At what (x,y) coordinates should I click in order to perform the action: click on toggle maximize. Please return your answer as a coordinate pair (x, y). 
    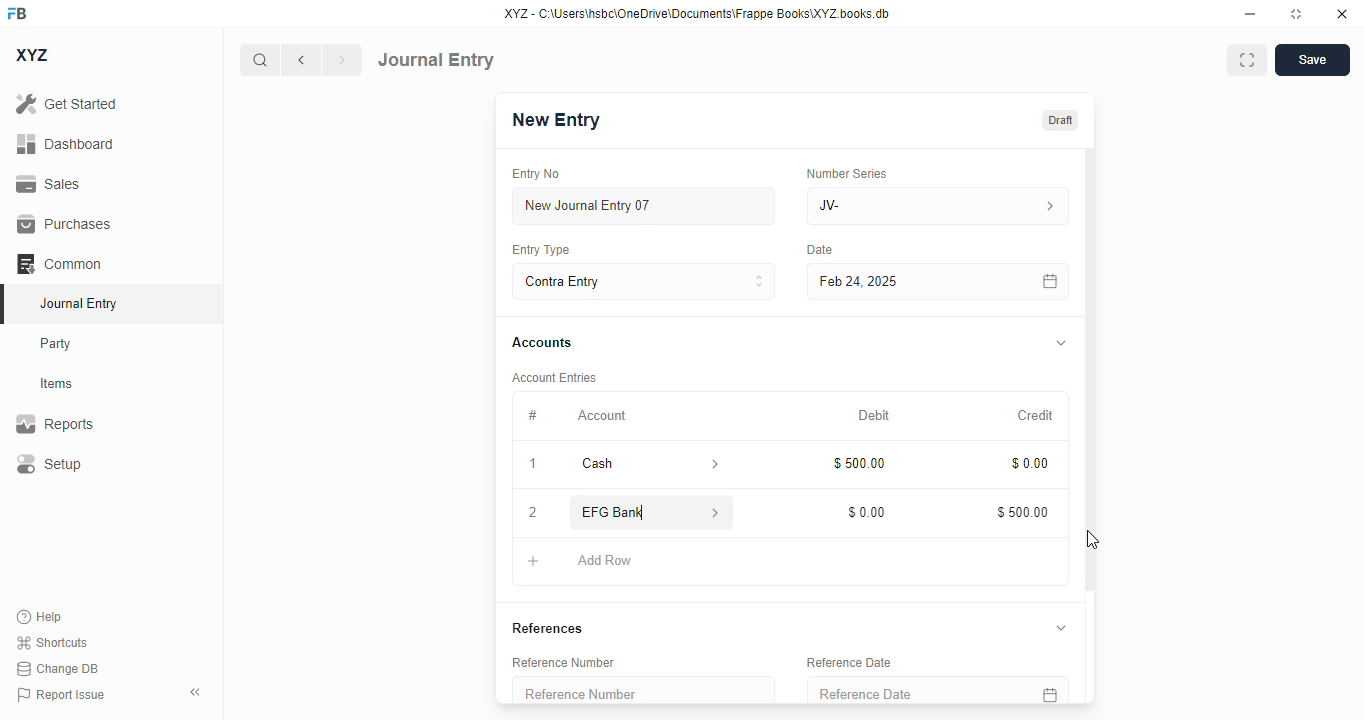
    Looking at the image, I should click on (1296, 14).